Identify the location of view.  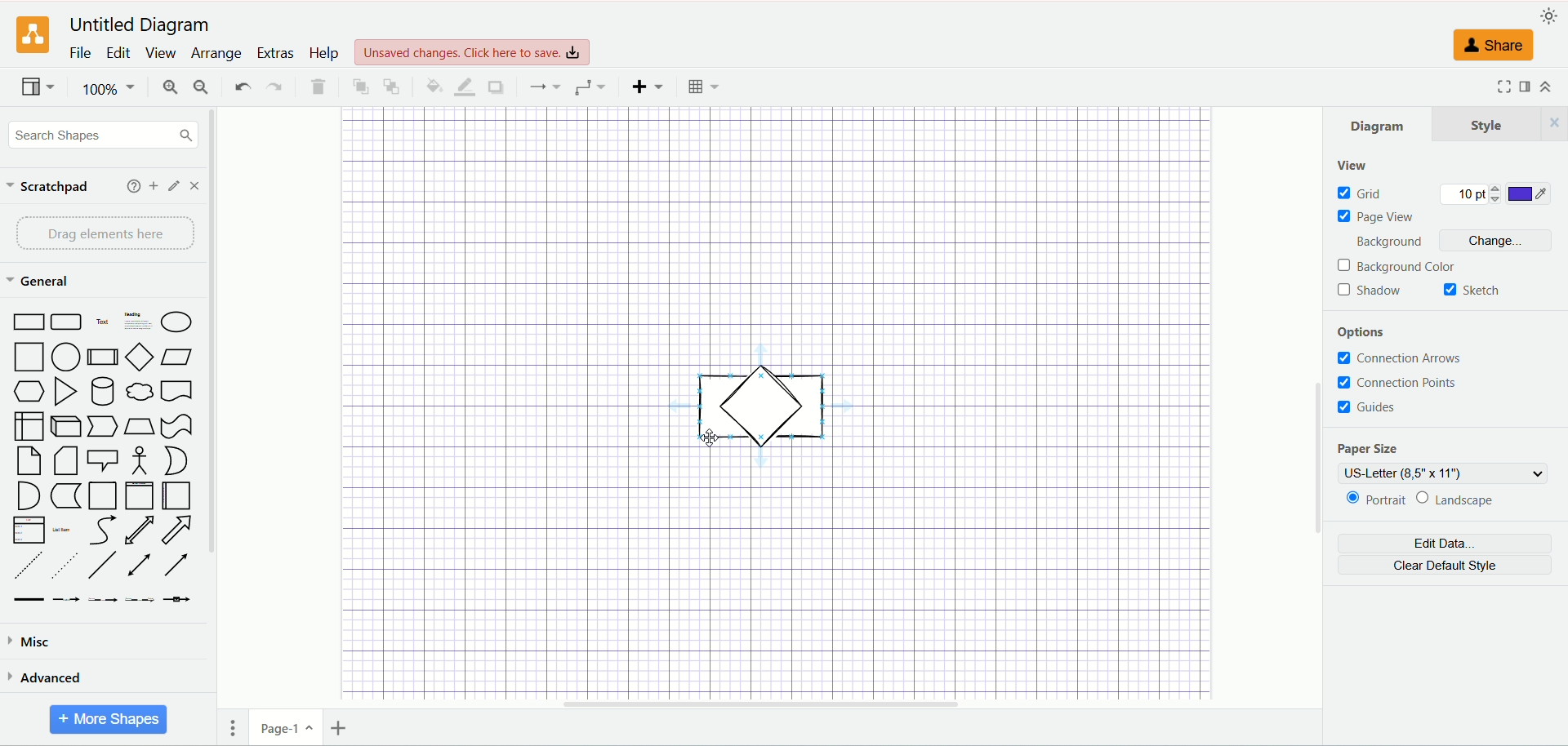
(163, 56).